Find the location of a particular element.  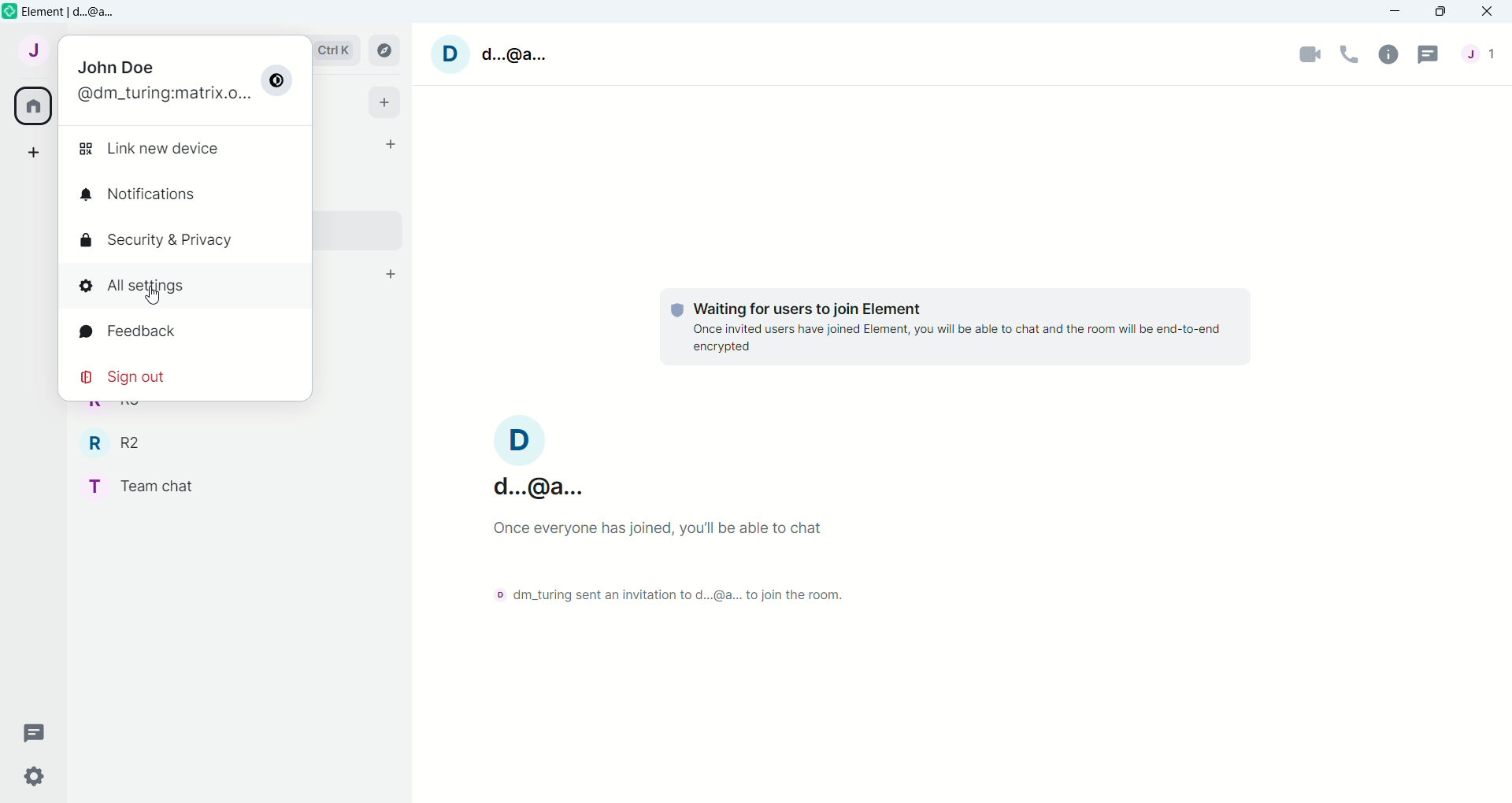

dm_turing sent an invitation to d..@a.. to join the room. is located at coordinates (664, 593).